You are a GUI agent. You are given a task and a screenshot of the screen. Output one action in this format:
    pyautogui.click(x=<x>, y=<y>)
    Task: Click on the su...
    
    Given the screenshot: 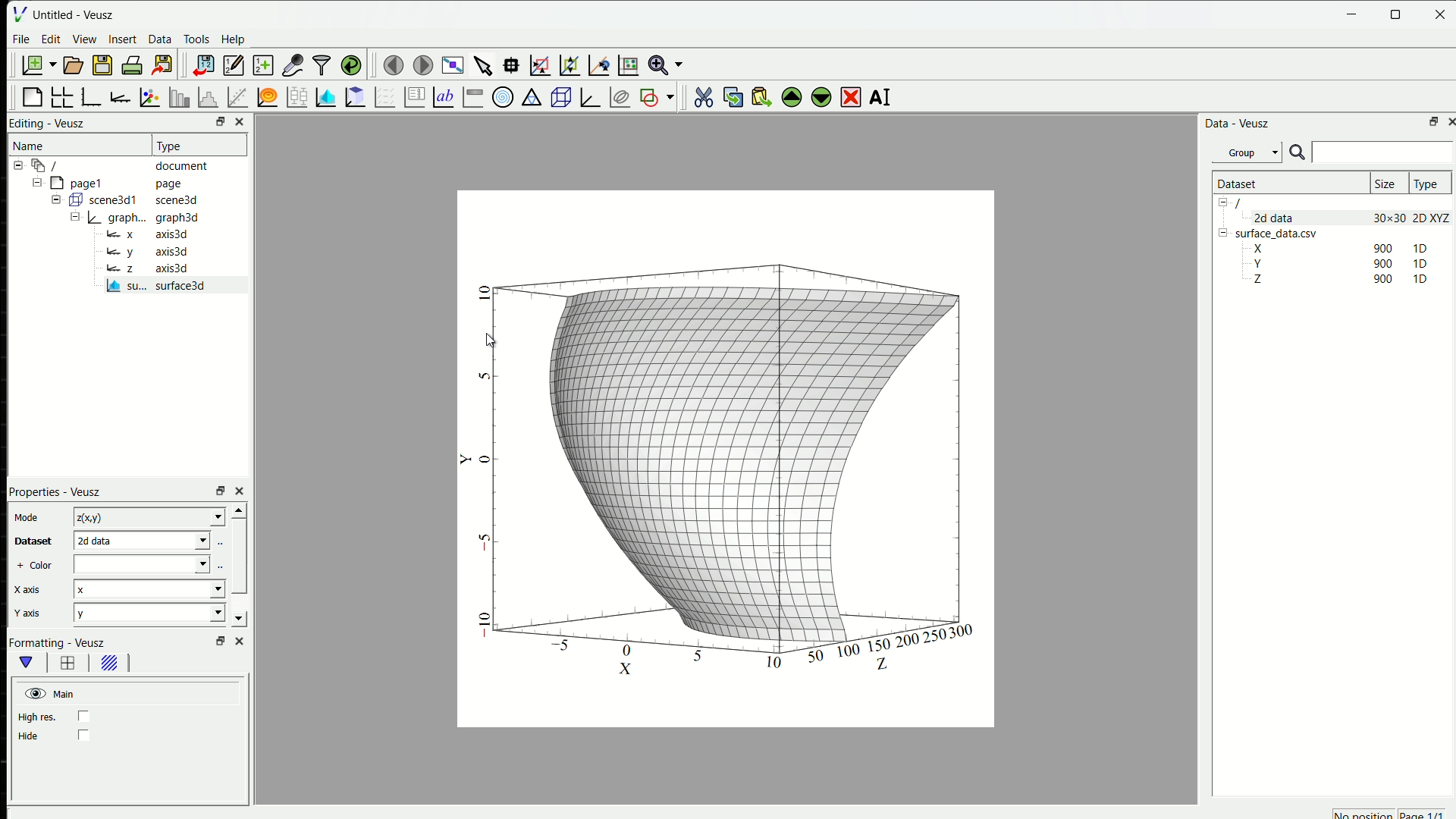 What is the action you would take?
    pyautogui.click(x=127, y=286)
    